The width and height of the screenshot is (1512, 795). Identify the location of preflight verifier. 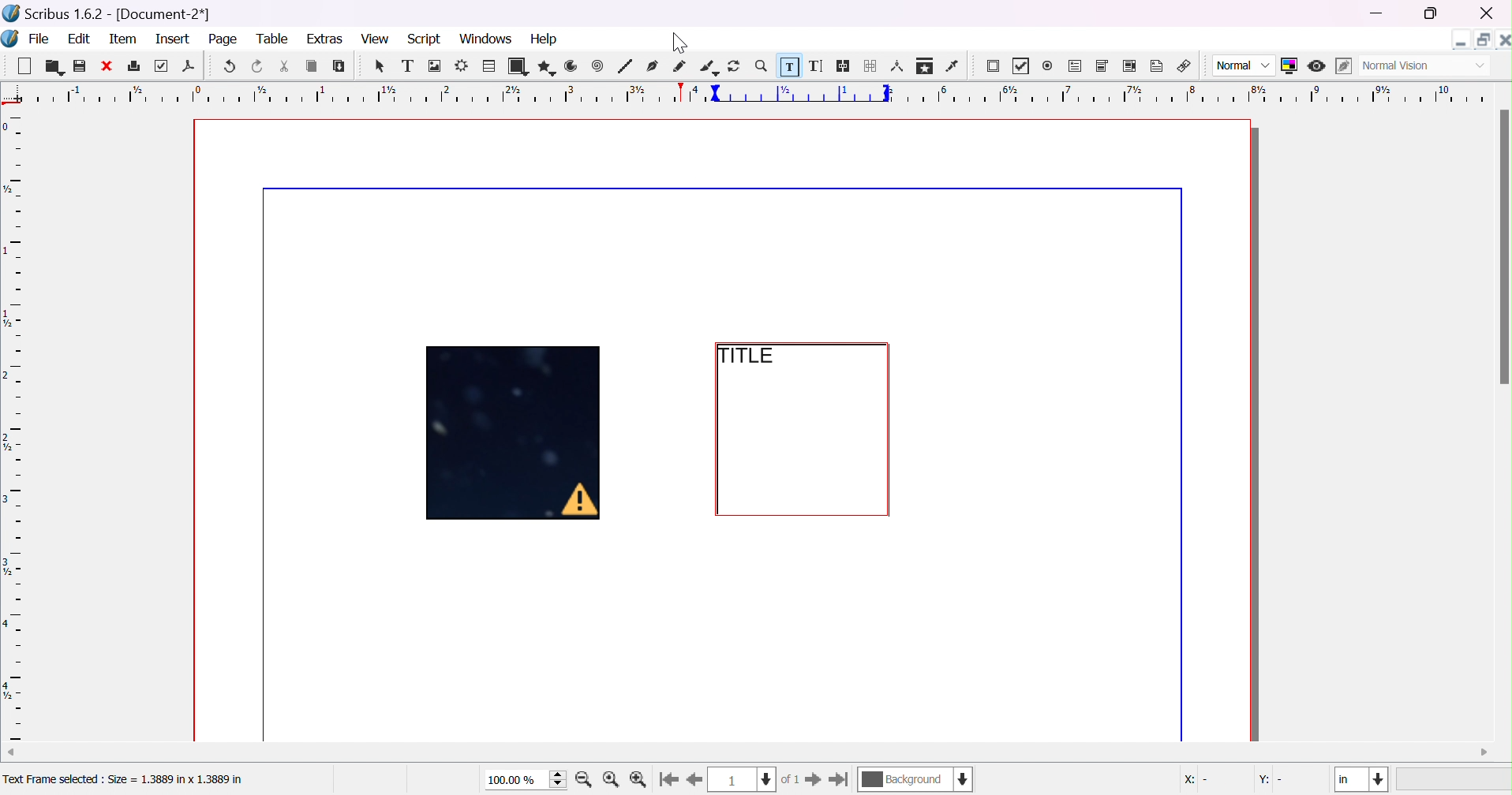
(163, 66).